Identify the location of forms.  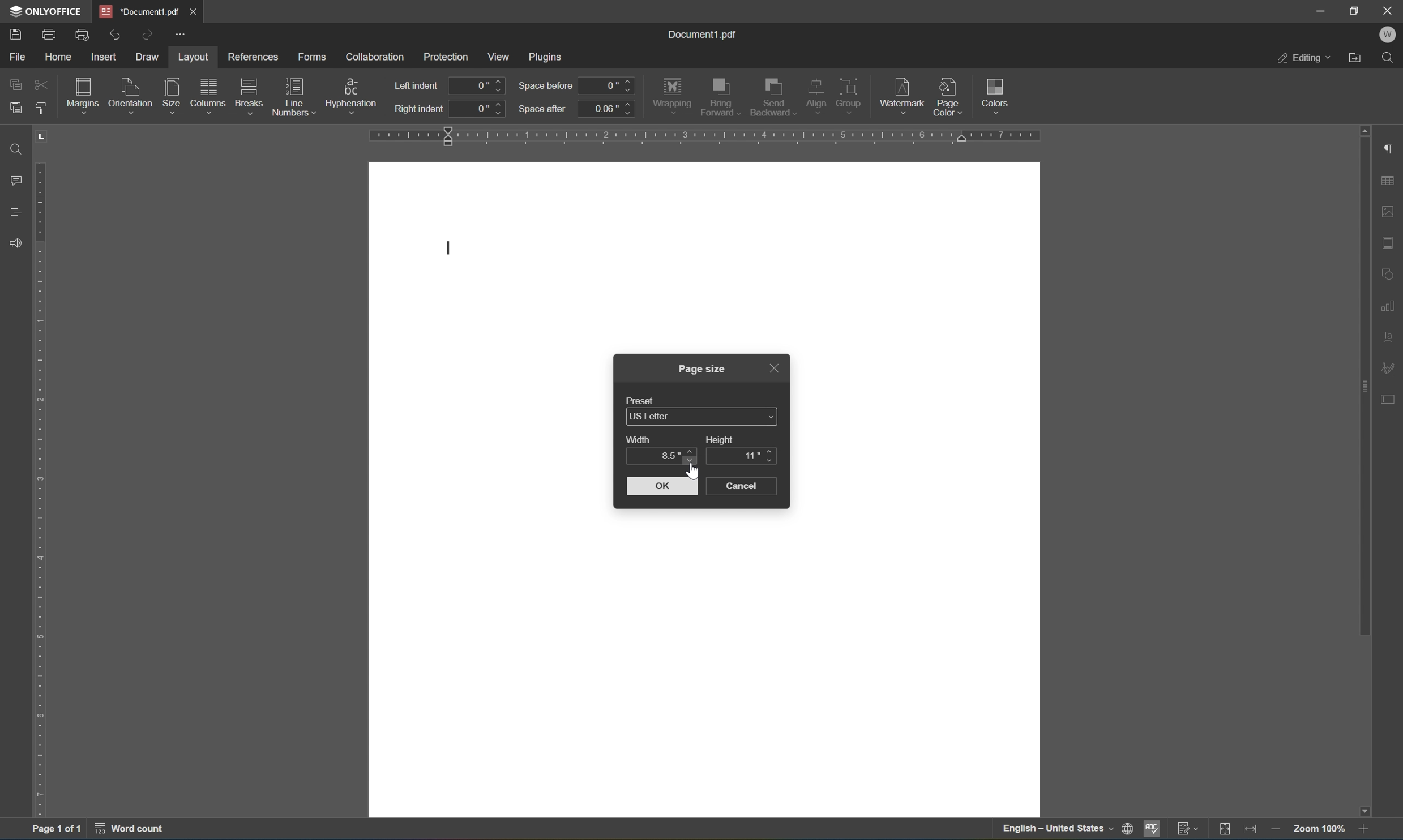
(311, 54).